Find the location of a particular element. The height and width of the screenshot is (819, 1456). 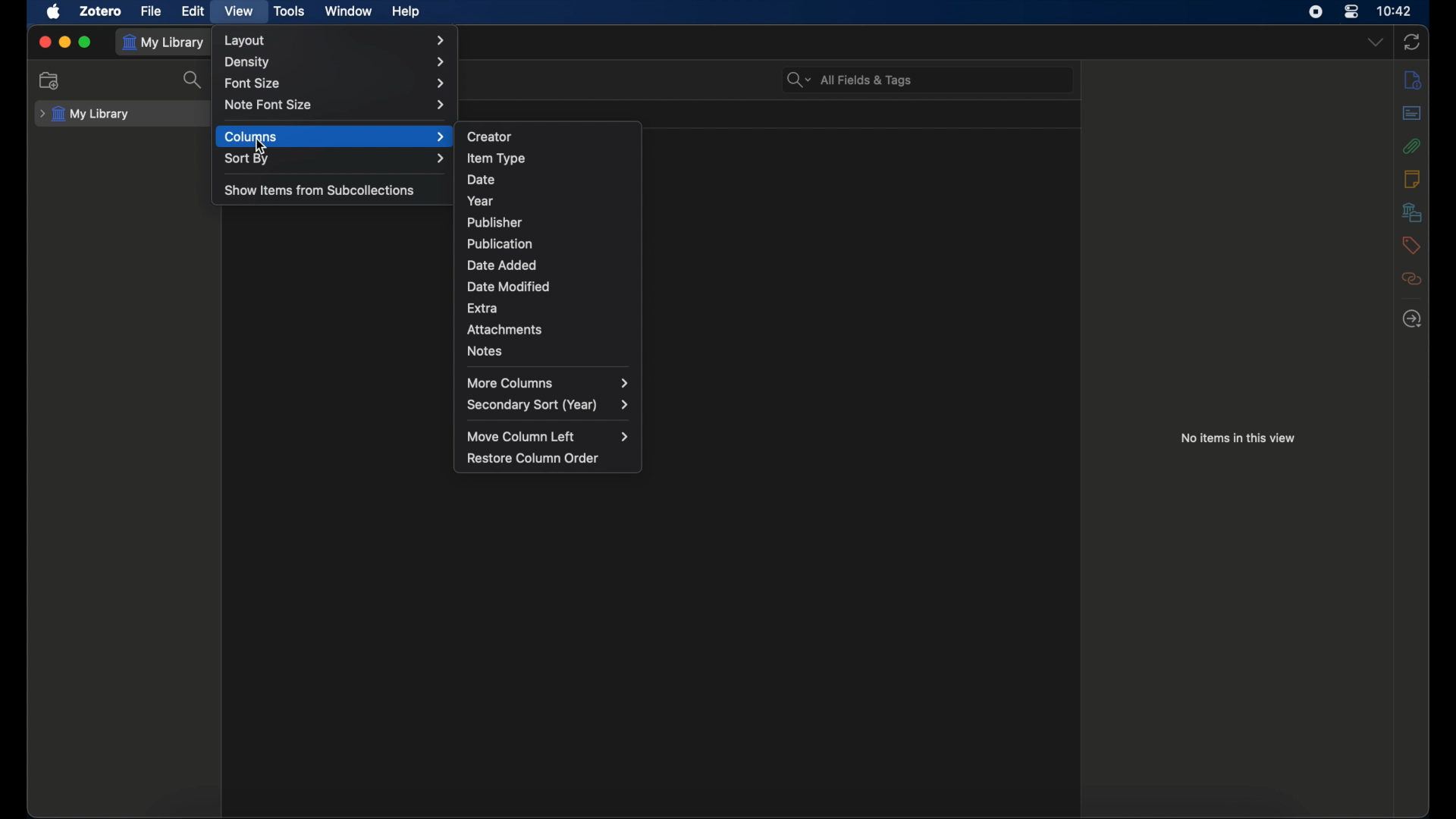

note font size is located at coordinates (335, 105).